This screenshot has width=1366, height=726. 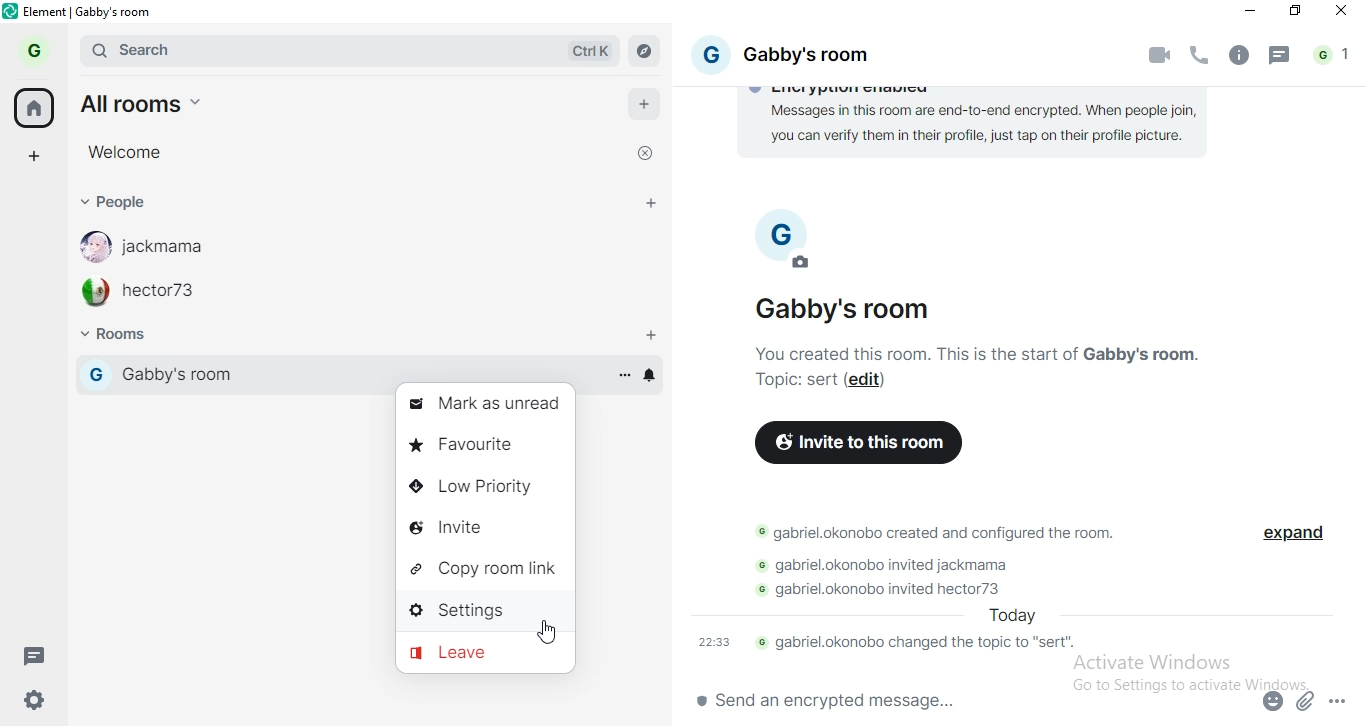 What do you see at coordinates (33, 107) in the screenshot?
I see `home` at bounding box center [33, 107].